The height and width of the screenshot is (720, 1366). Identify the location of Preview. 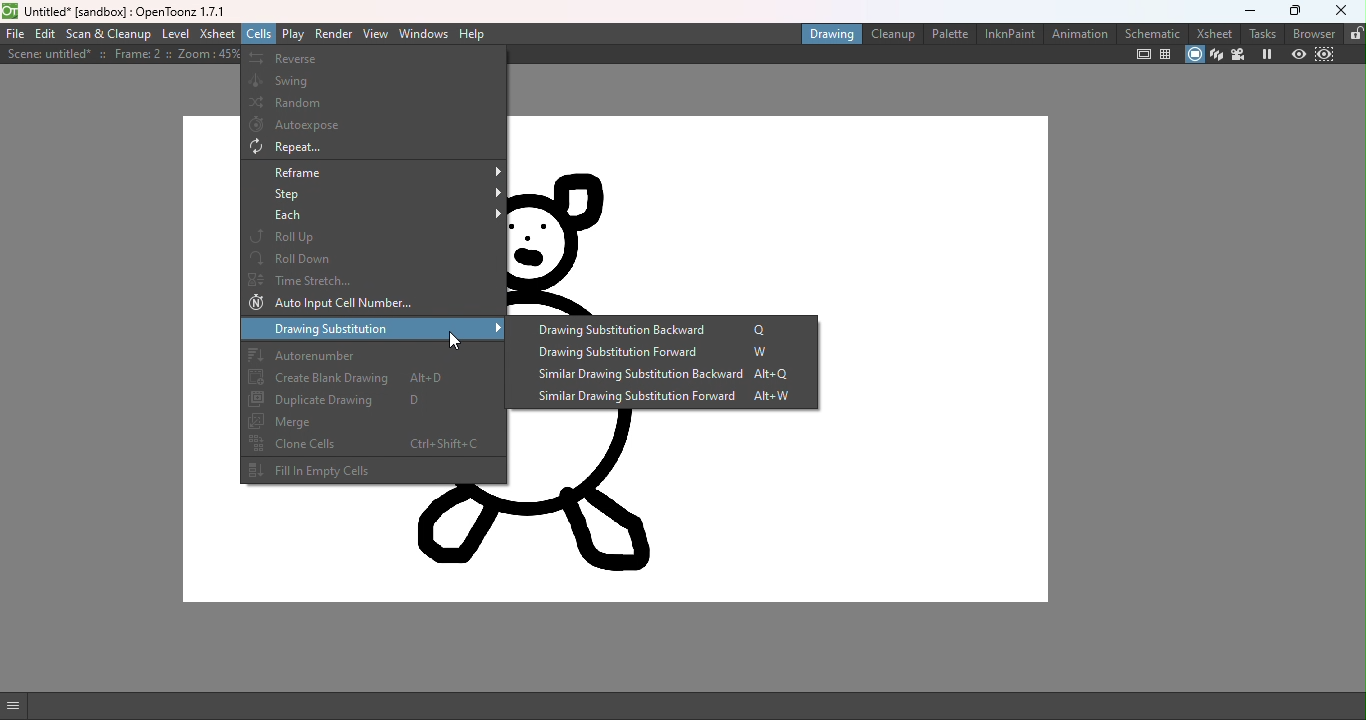
(1299, 56).